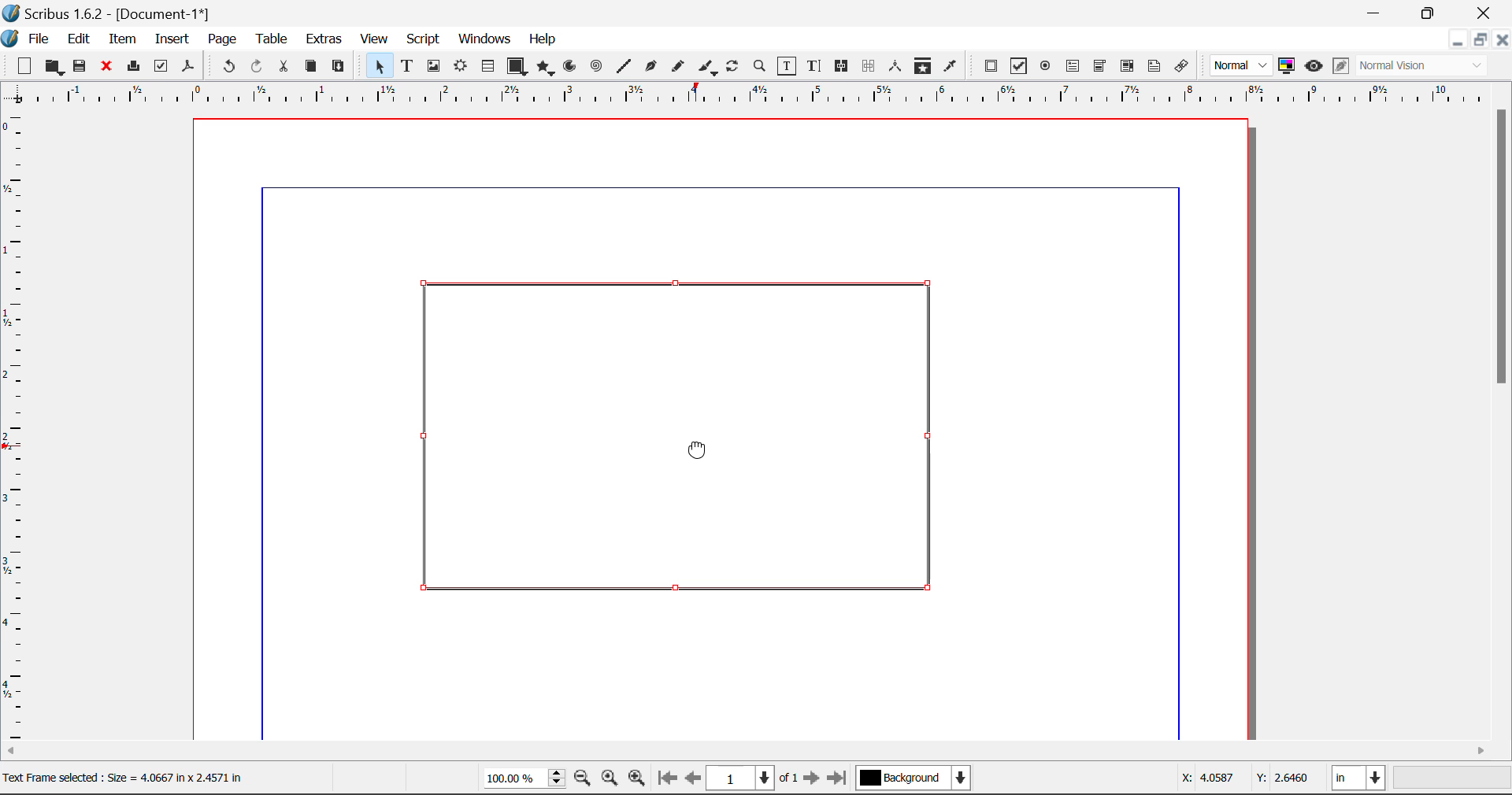 The image size is (1512, 795). Describe the element at coordinates (79, 38) in the screenshot. I see `Edit` at that location.